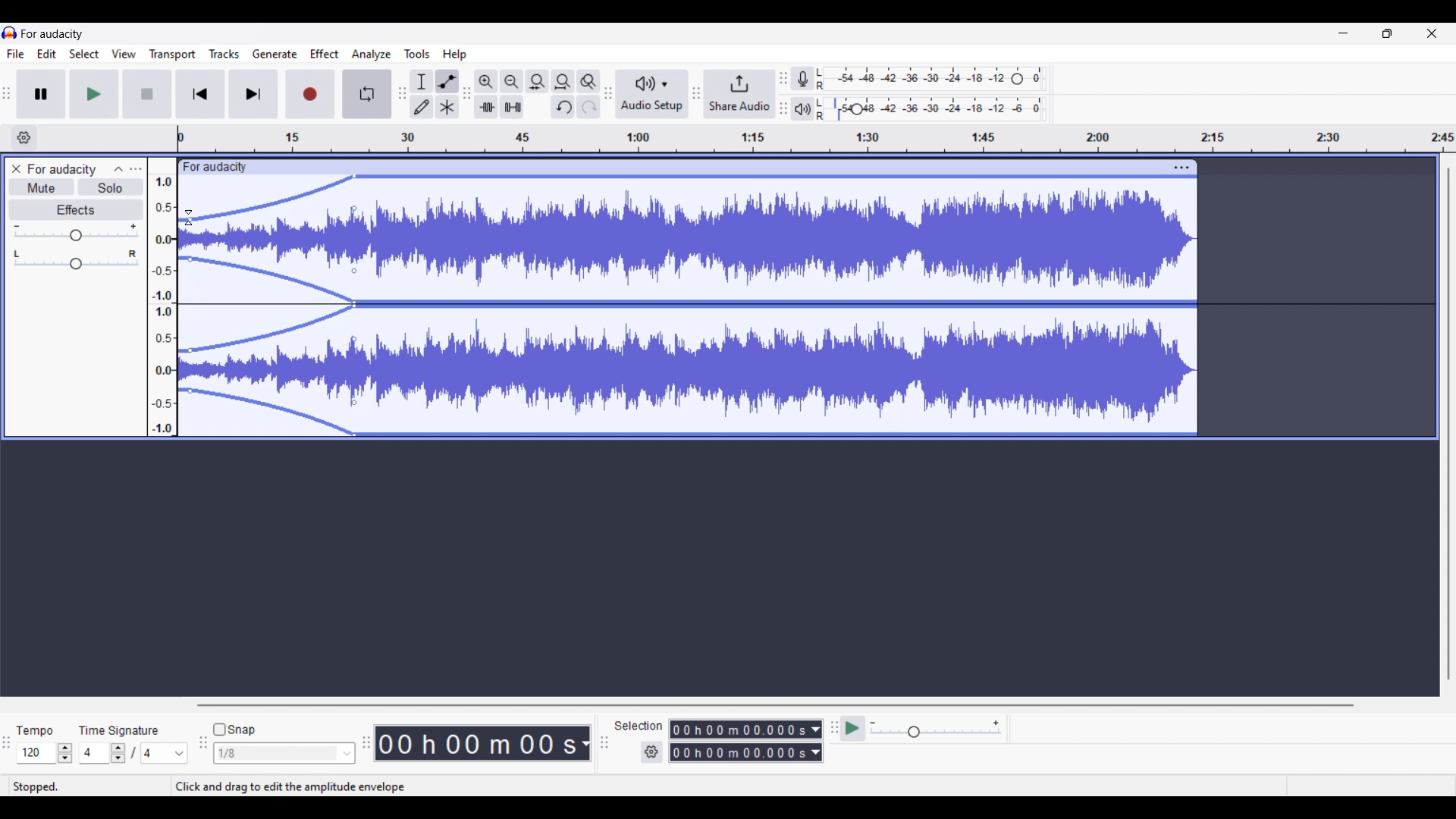 The width and height of the screenshot is (1456, 819). What do you see at coordinates (134, 754) in the screenshot?
I see `Time signature settings` at bounding box center [134, 754].